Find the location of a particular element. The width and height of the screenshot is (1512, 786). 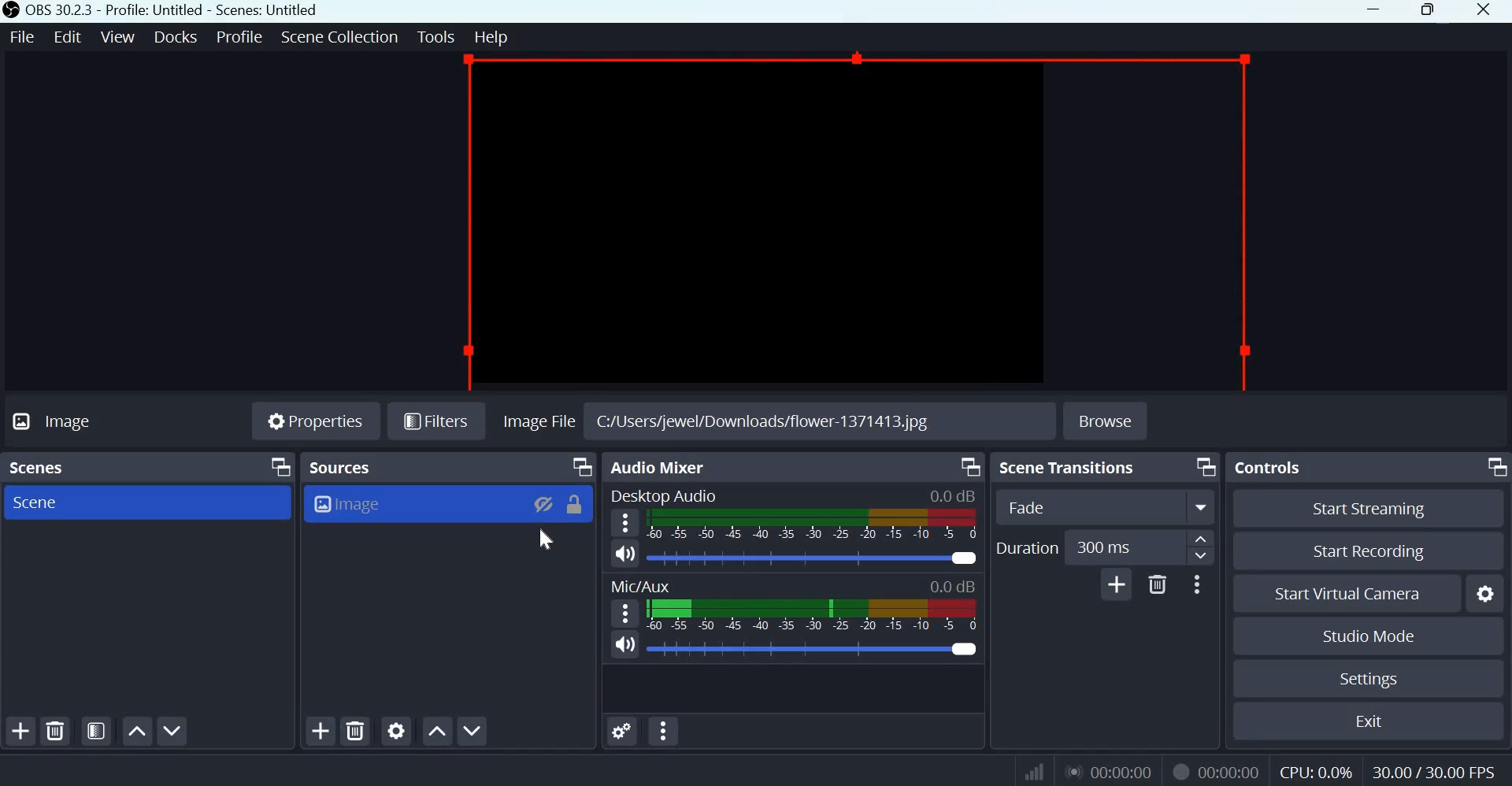

More Options is located at coordinates (1199, 583).